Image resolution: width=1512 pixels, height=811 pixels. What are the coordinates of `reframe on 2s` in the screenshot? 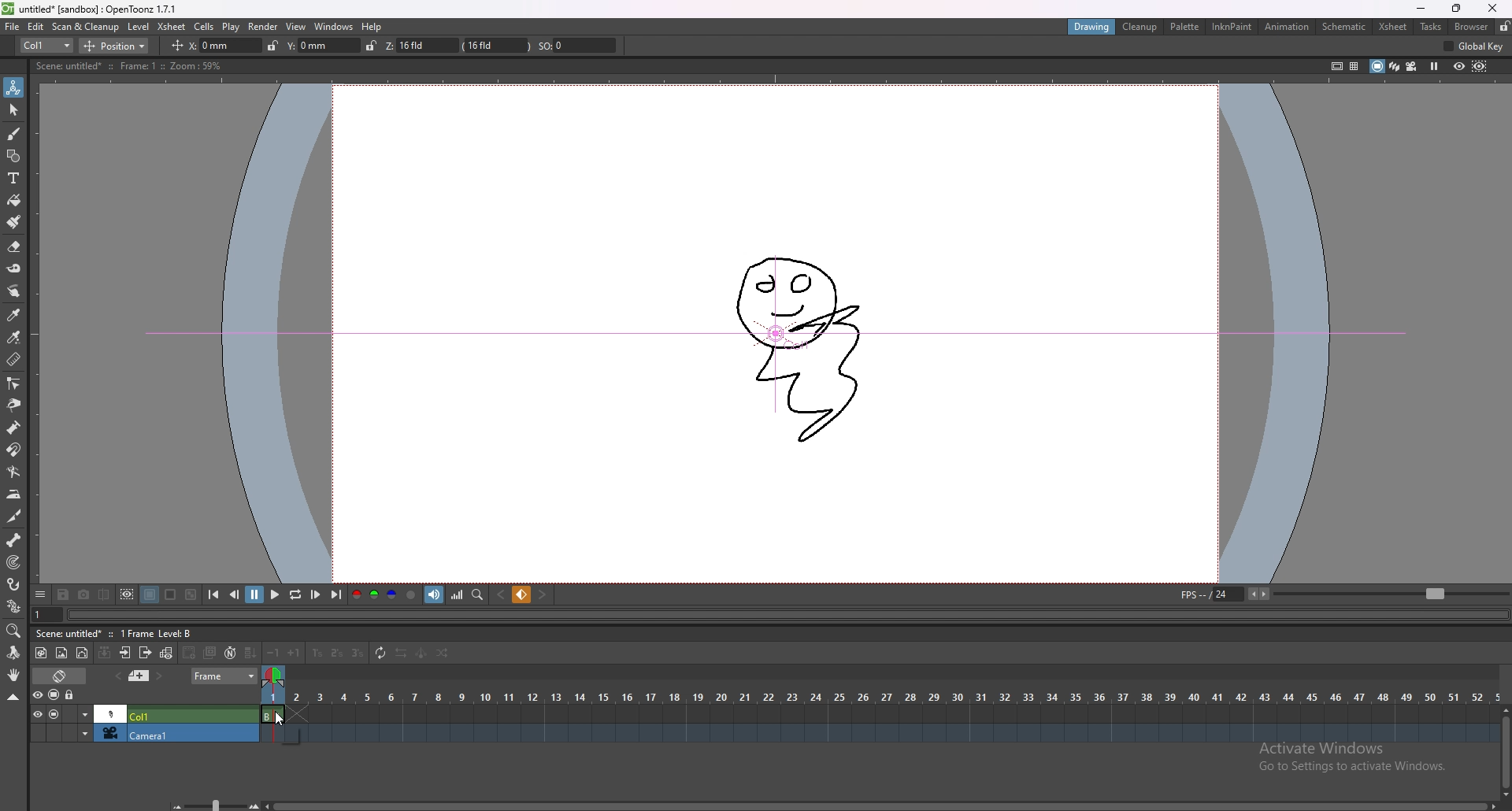 It's located at (336, 653).